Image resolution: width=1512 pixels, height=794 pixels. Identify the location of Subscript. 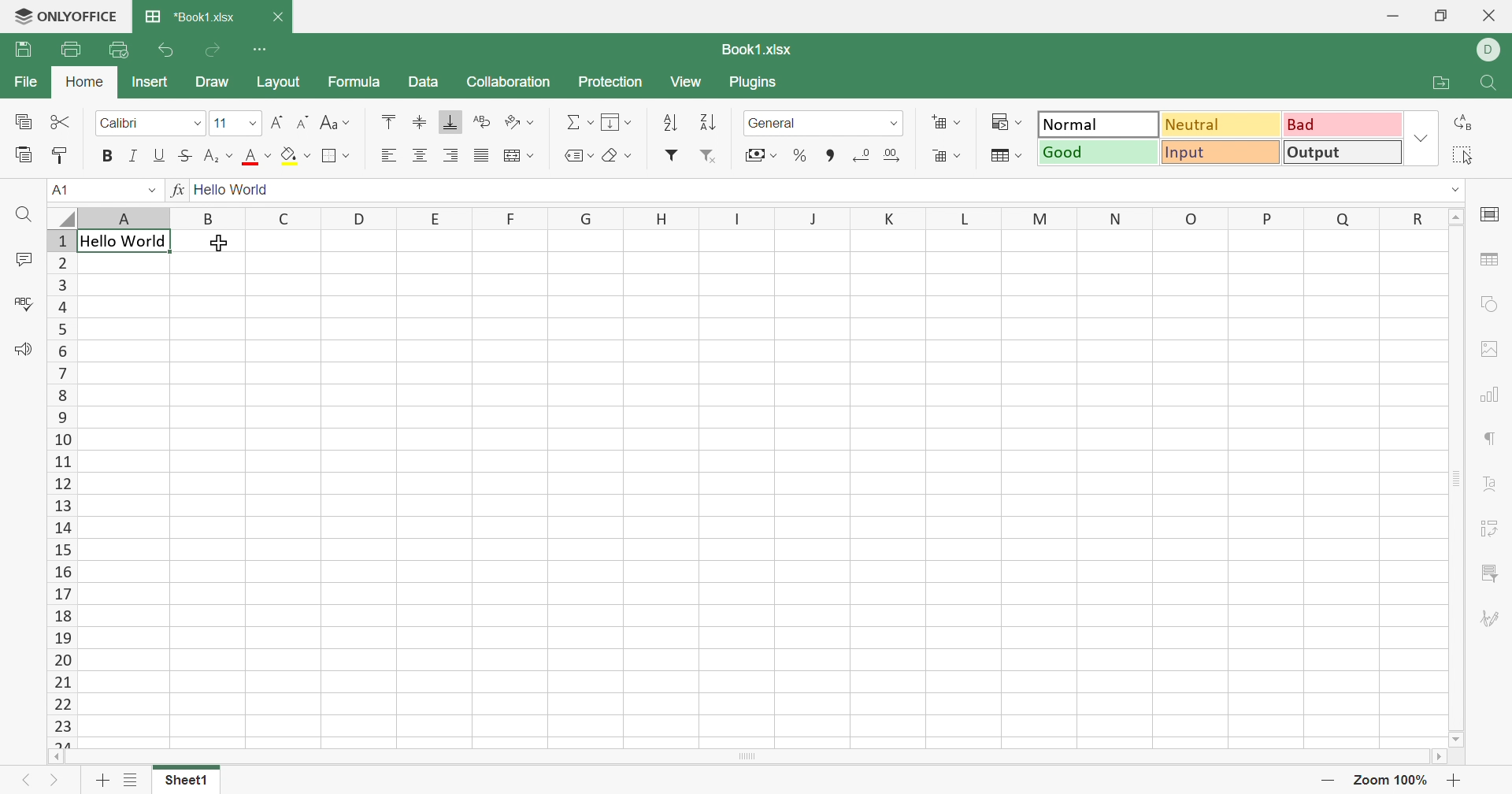
(216, 157).